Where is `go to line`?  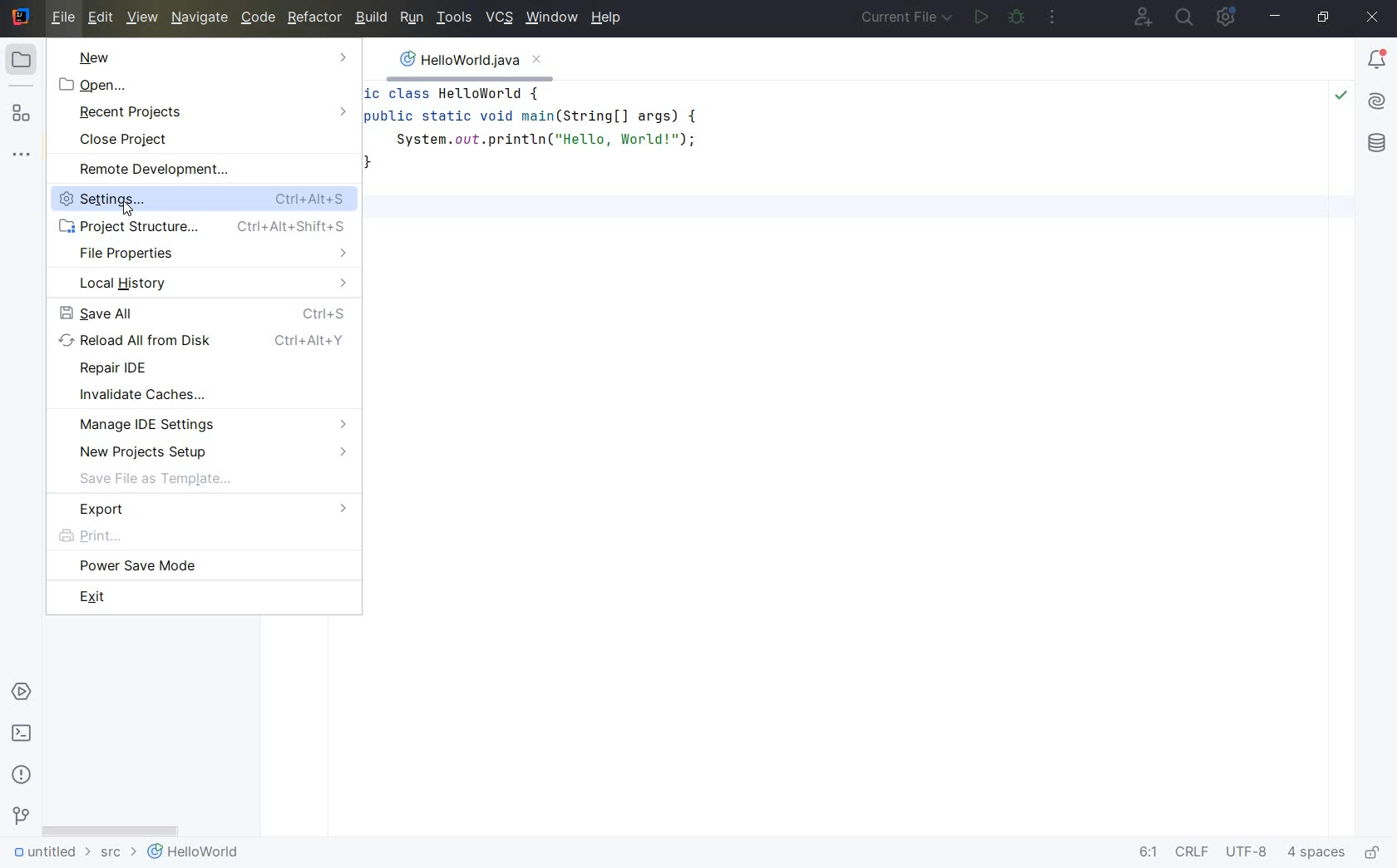 go to line is located at coordinates (1147, 853).